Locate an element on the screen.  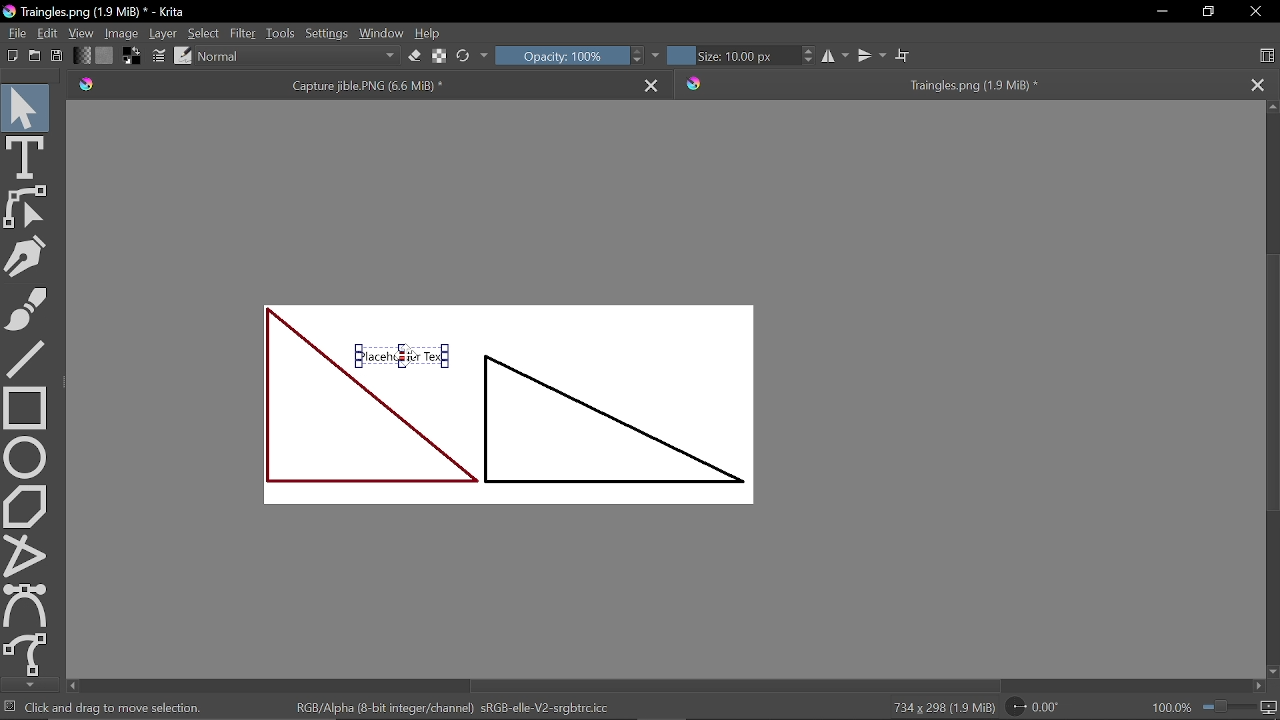
View is located at coordinates (82, 32).